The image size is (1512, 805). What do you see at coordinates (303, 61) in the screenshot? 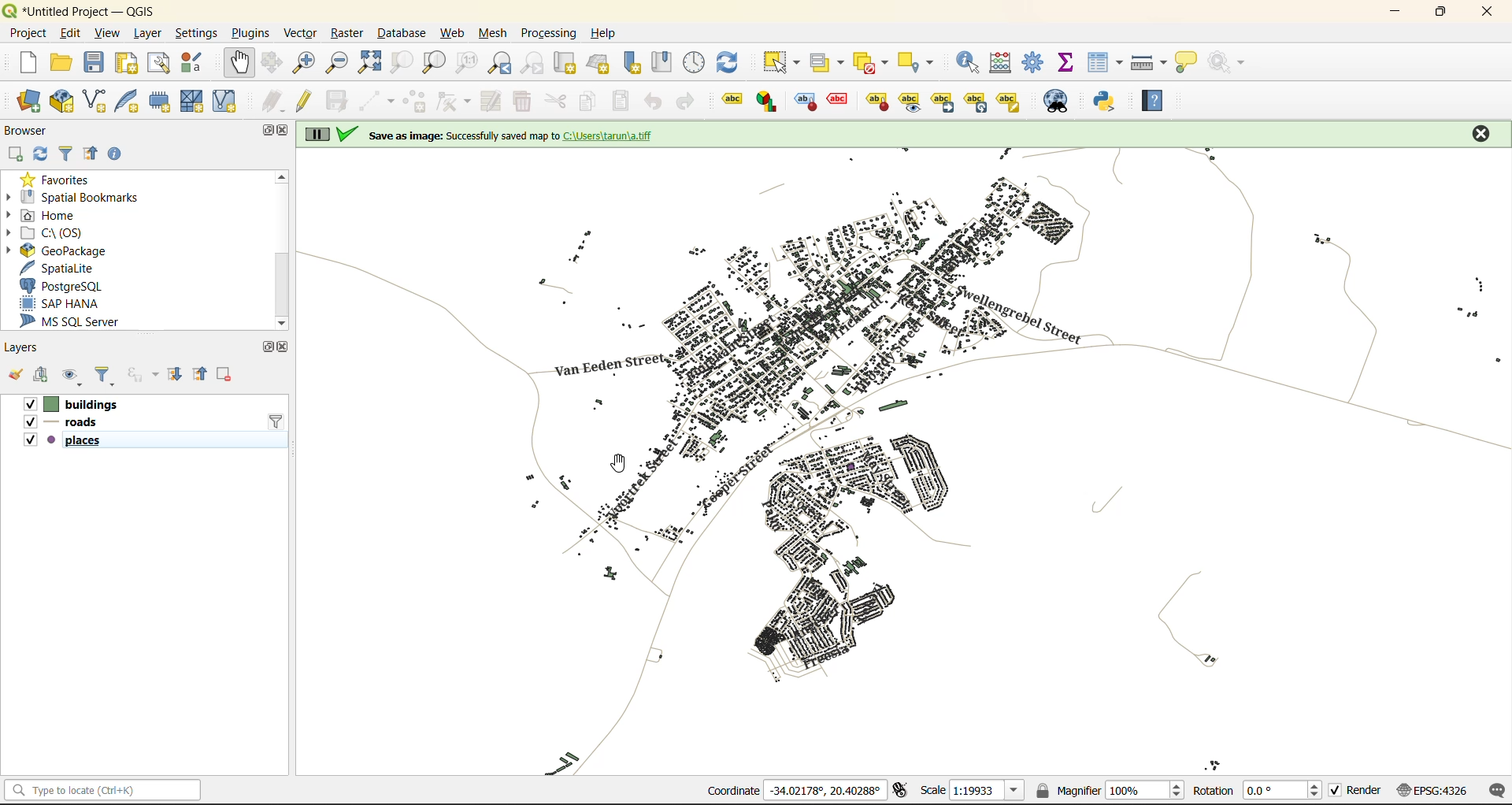
I see `zoom in` at bounding box center [303, 61].